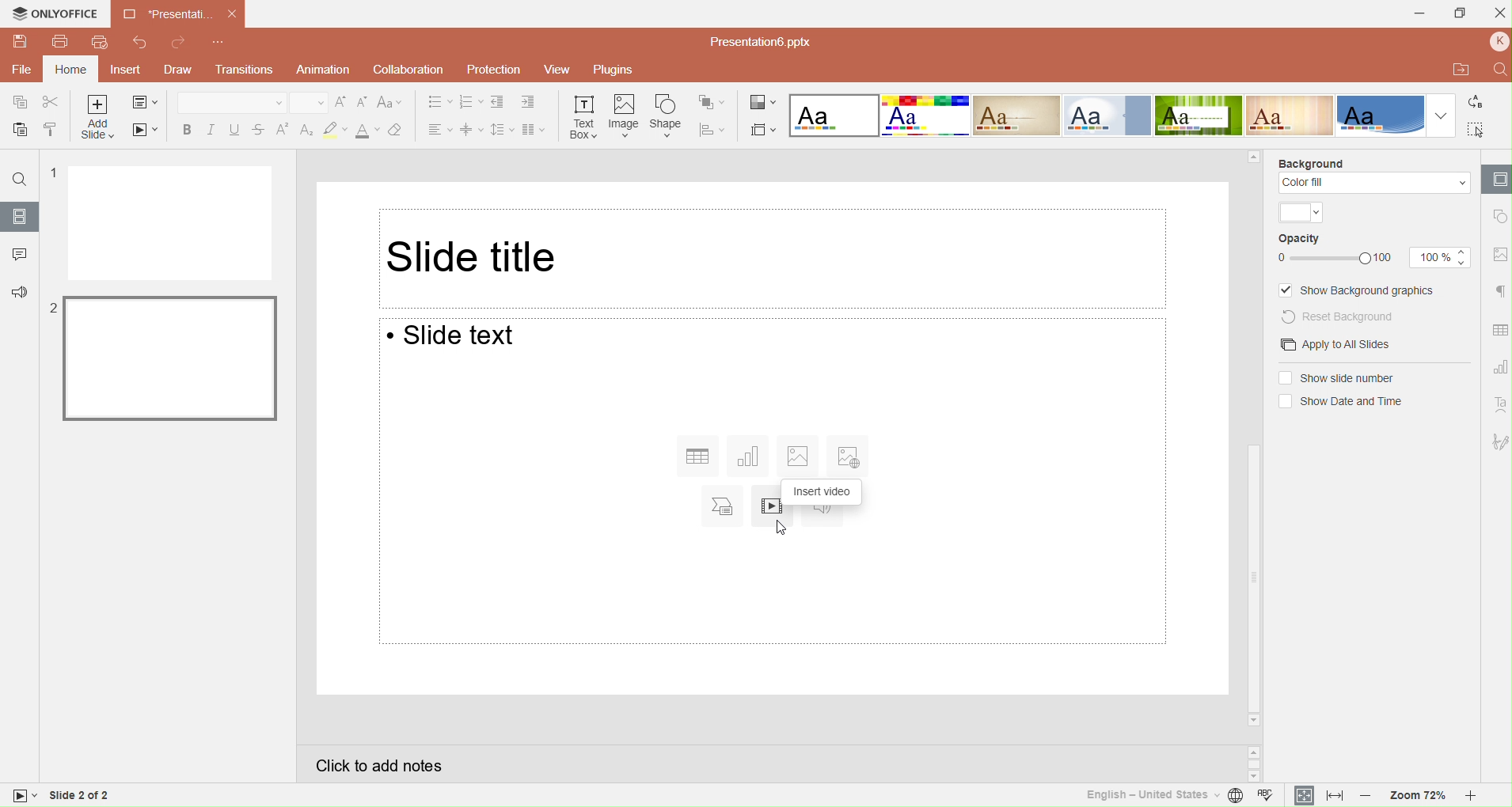 The image size is (1512, 807). I want to click on Customize quick access toolbar, so click(222, 41).